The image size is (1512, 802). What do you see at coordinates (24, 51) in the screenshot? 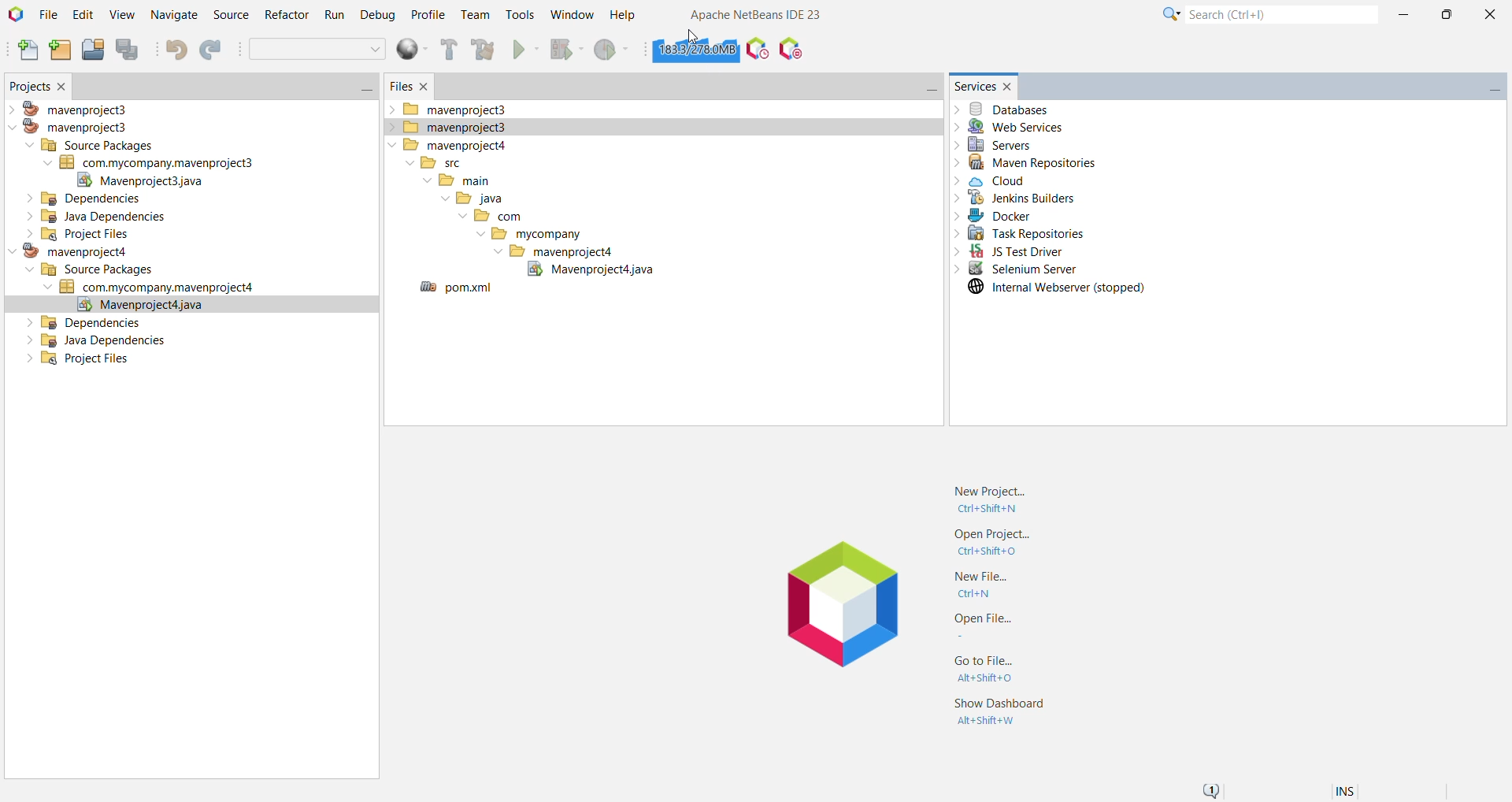
I see `New File` at bounding box center [24, 51].